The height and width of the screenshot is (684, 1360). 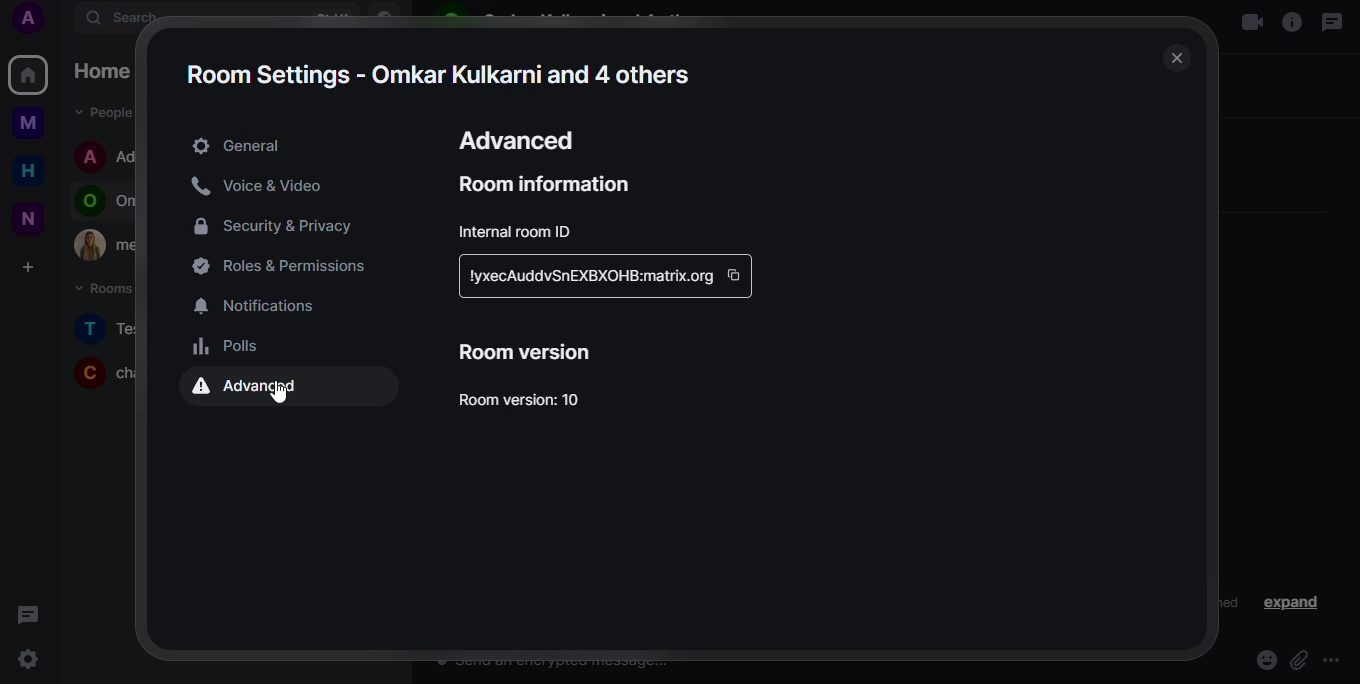 I want to click on version number, so click(x=525, y=399).